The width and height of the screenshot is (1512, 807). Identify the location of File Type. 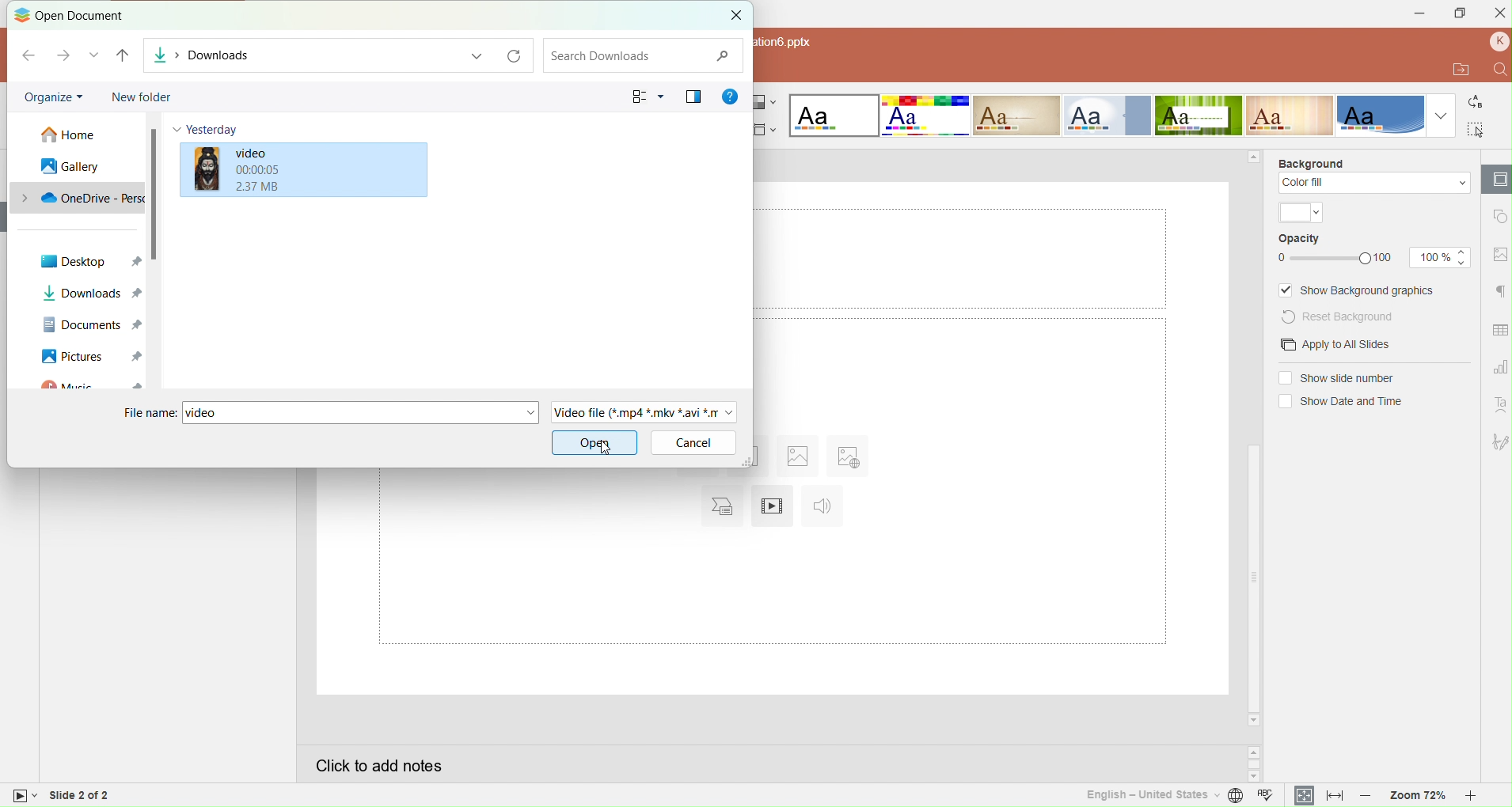
(644, 412).